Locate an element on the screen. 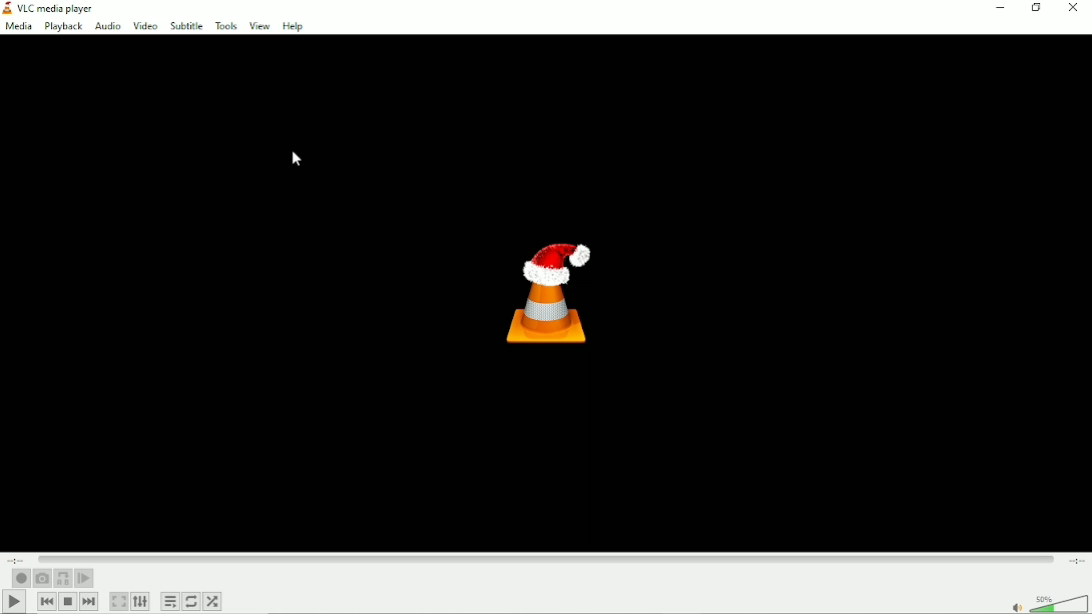 This screenshot has width=1092, height=614. Random is located at coordinates (214, 601).